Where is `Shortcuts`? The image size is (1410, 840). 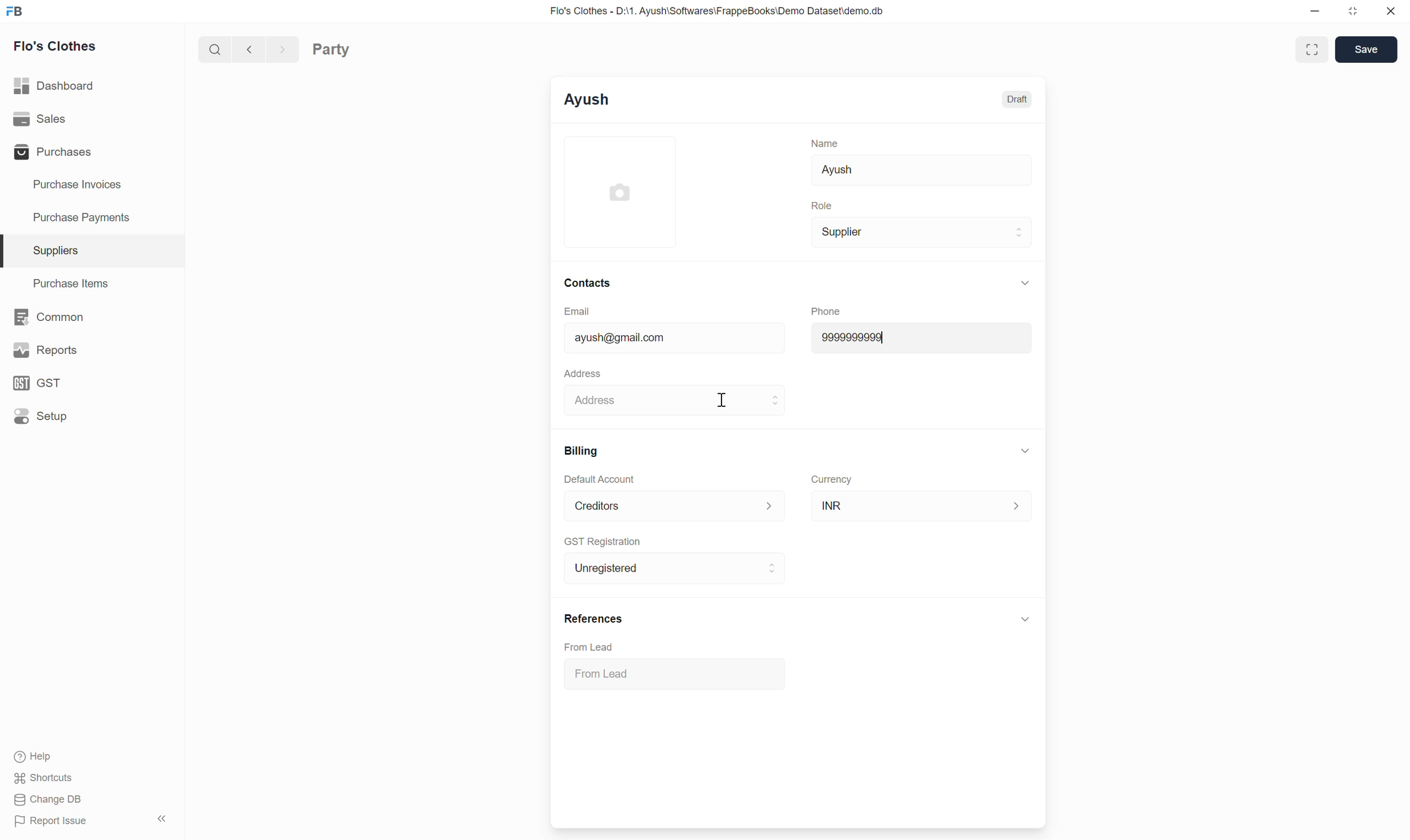 Shortcuts is located at coordinates (44, 778).